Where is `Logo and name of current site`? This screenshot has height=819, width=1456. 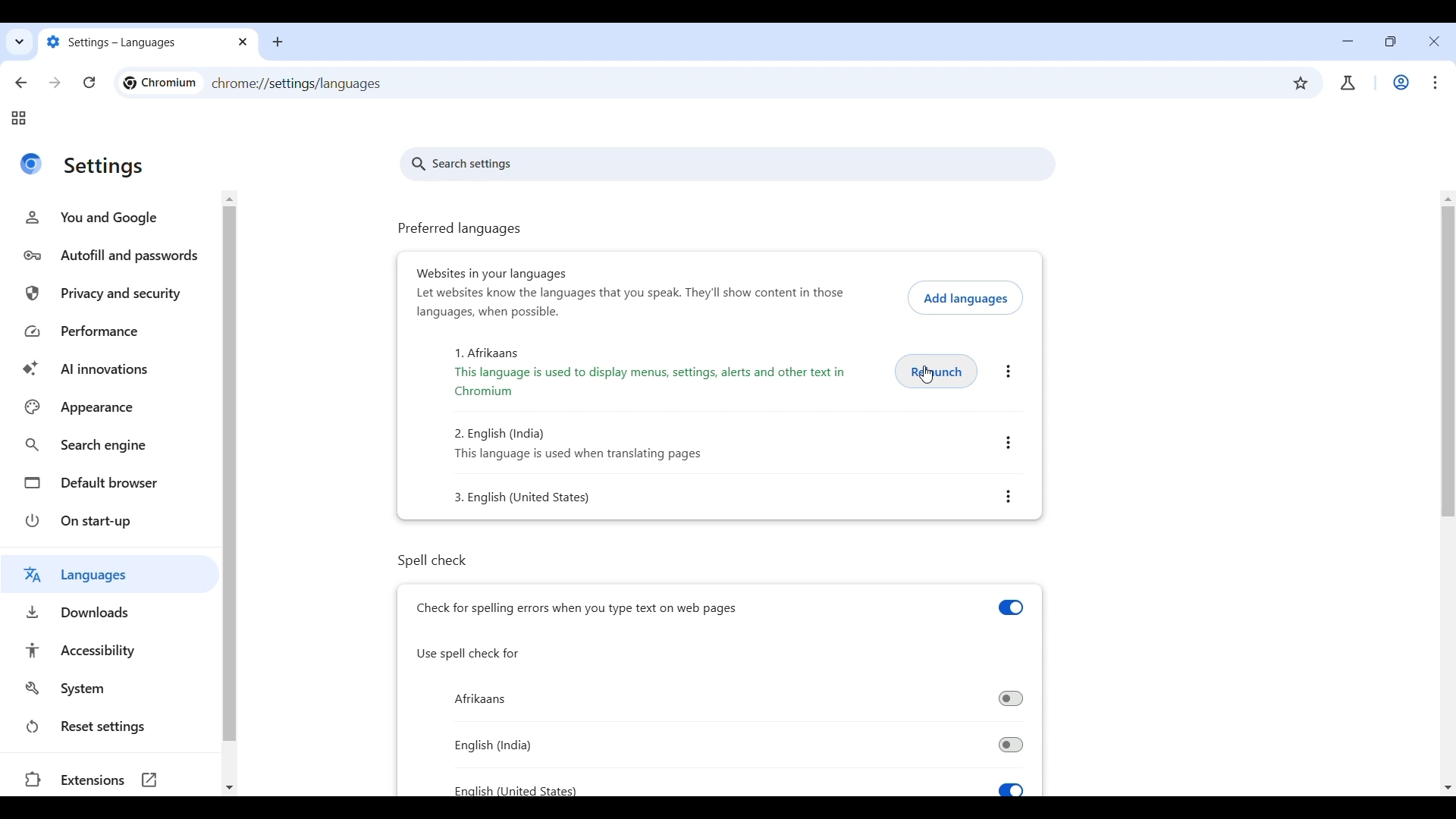
Logo and name of current site is located at coordinates (160, 83).